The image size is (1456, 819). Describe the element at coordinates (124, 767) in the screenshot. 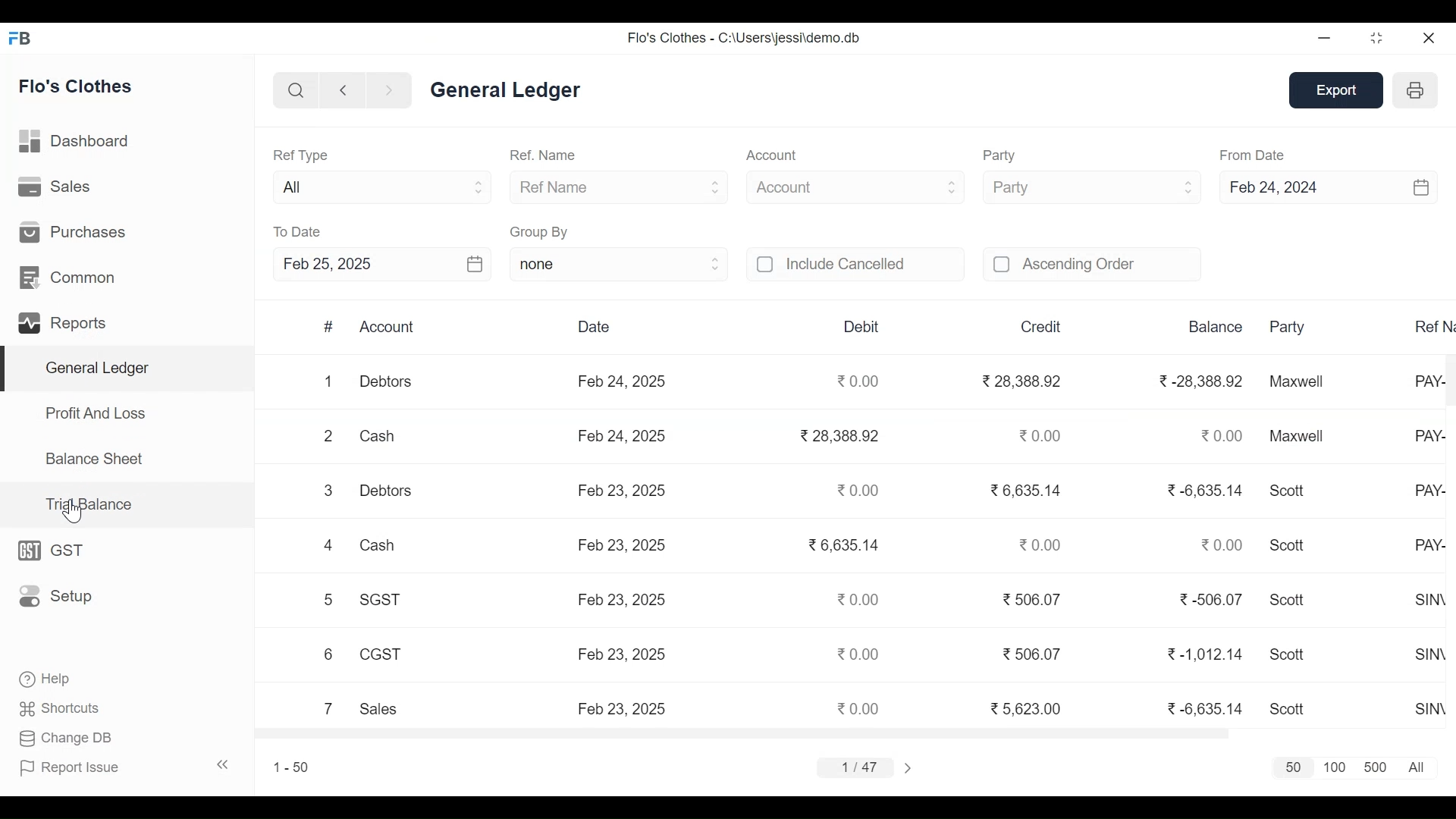

I see `Report Issue` at that location.